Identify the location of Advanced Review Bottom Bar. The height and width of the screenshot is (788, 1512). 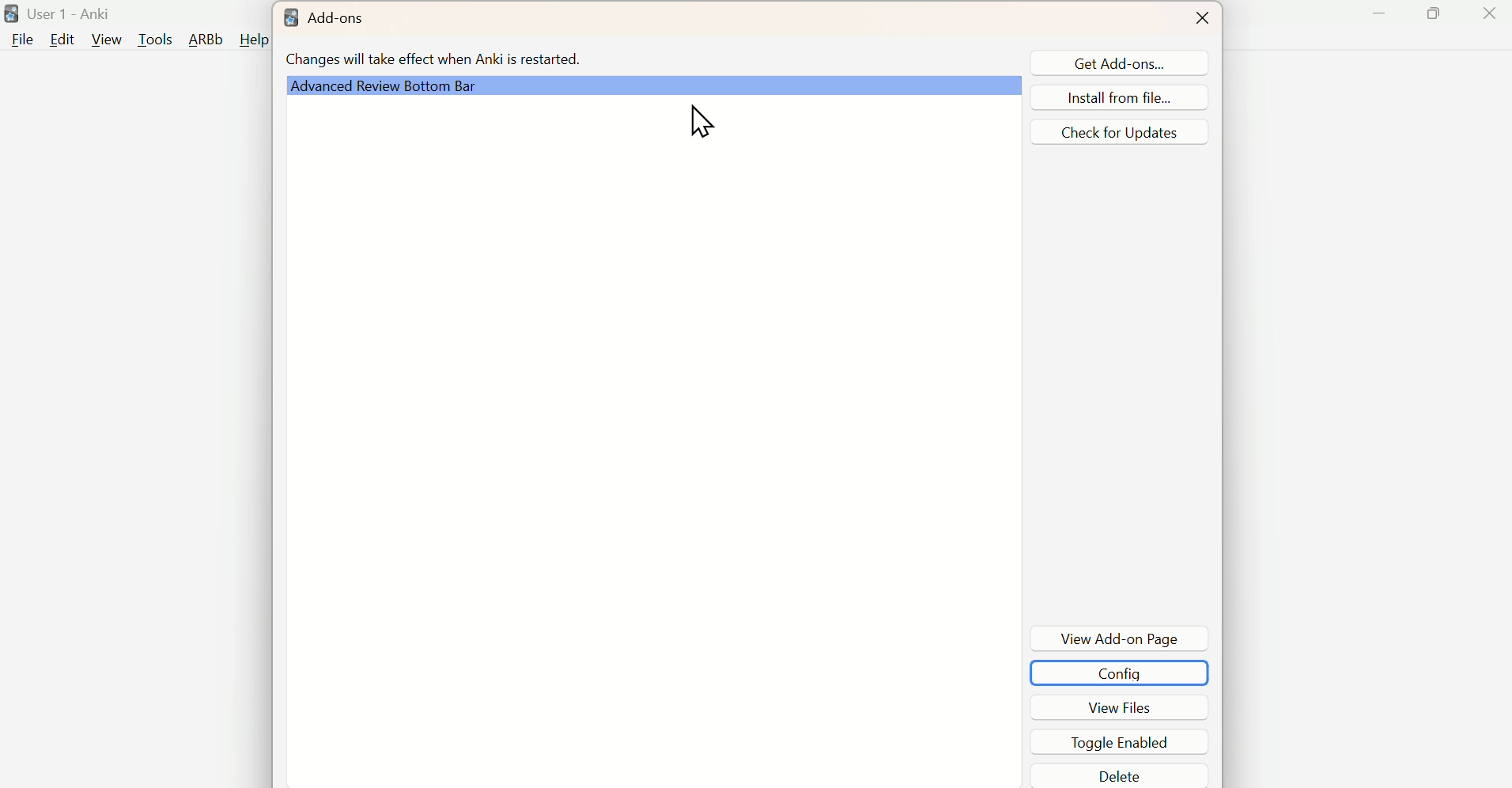
(652, 83).